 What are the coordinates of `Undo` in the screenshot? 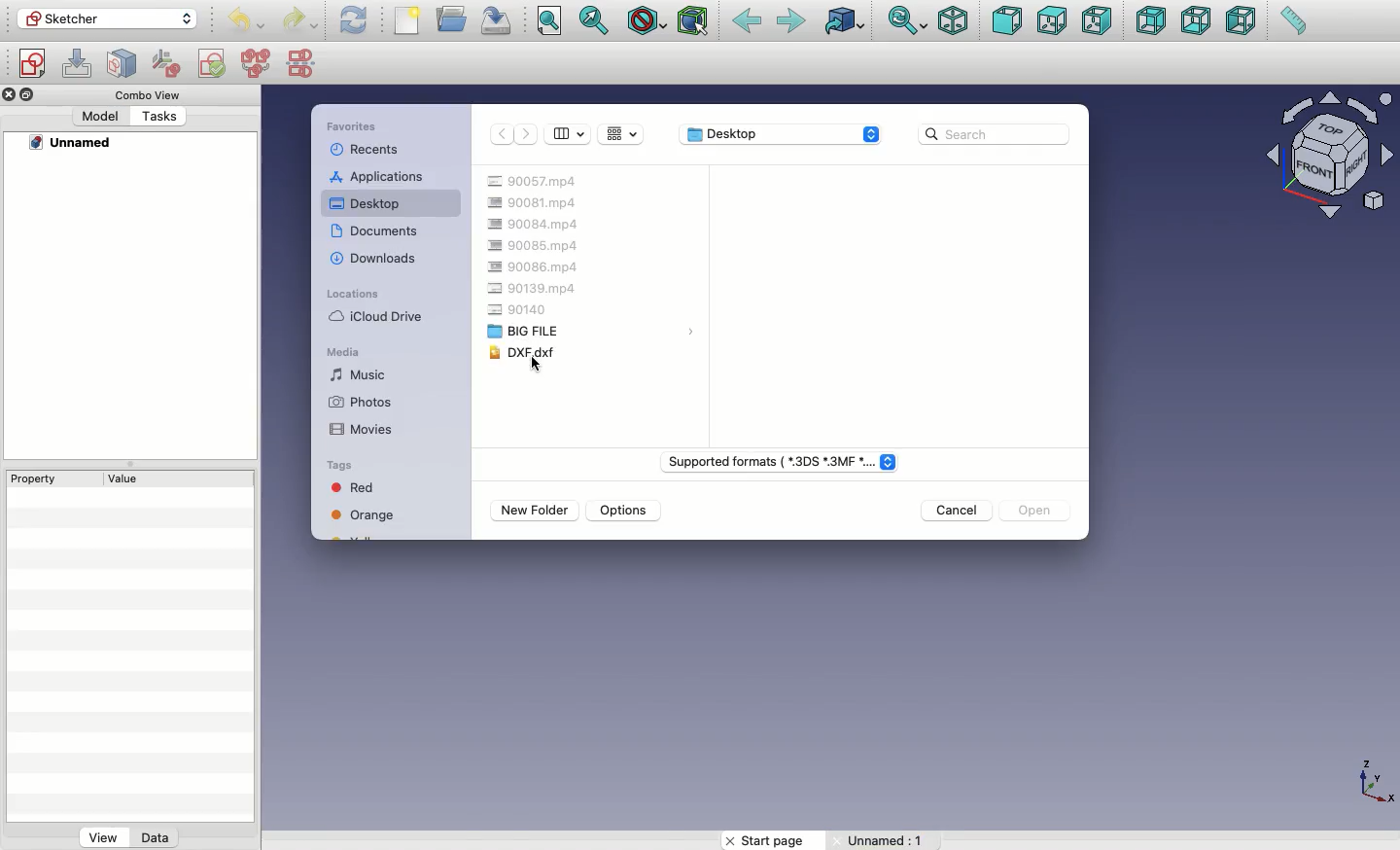 It's located at (249, 22).